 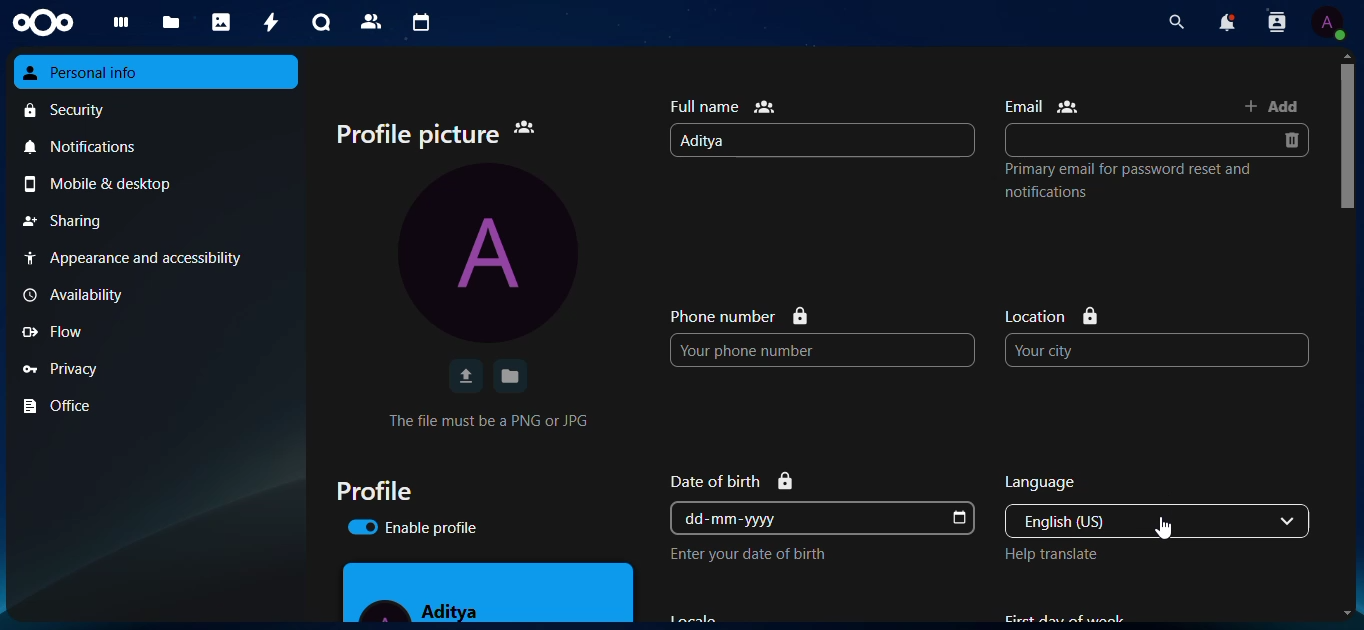 I want to click on privacy, so click(x=68, y=367).